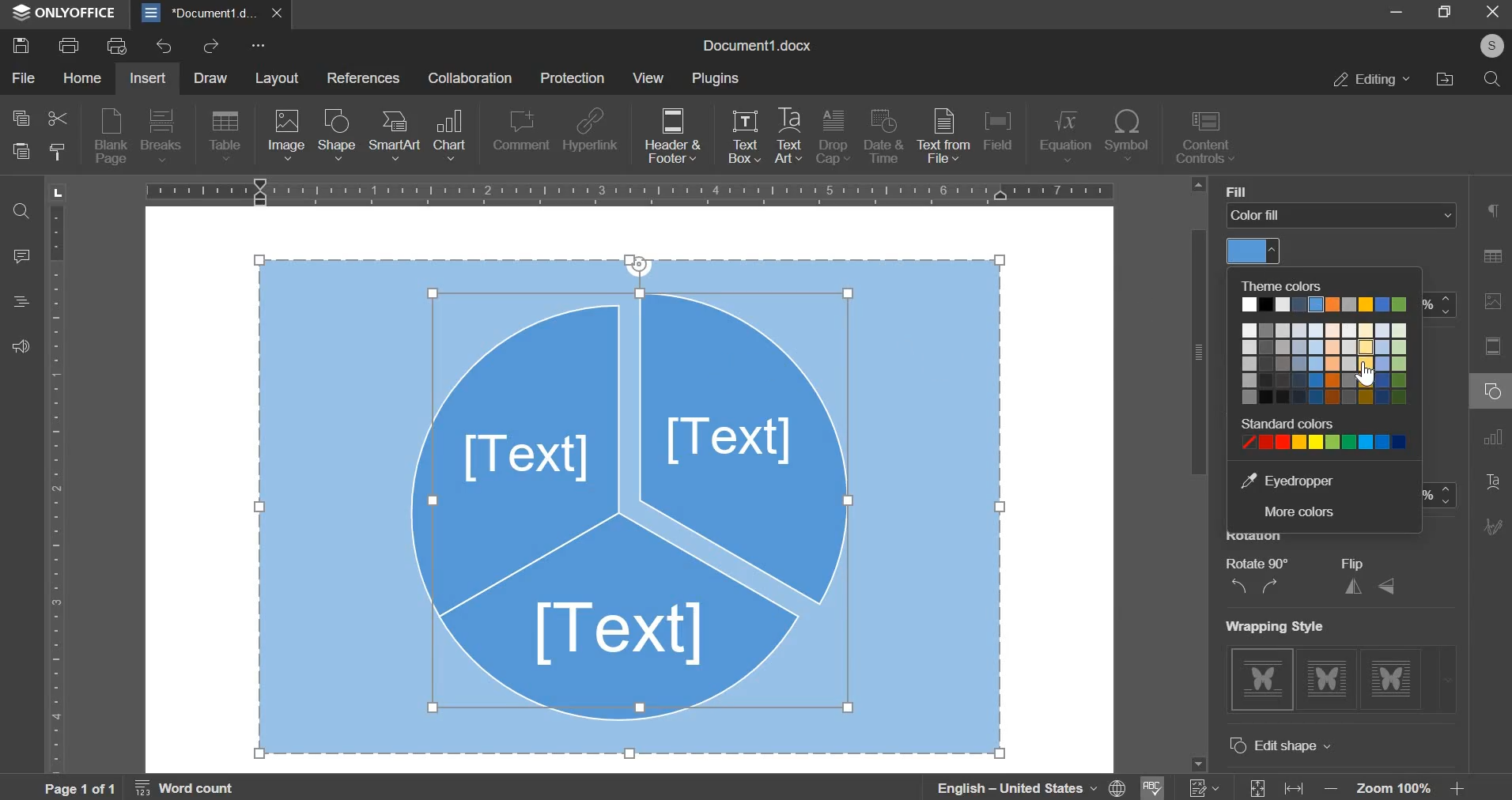 Image resolution: width=1512 pixels, height=800 pixels. What do you see at coordinates (1492, 79) in the screenshot?
I see `search` at bounding box center [1492, 79].